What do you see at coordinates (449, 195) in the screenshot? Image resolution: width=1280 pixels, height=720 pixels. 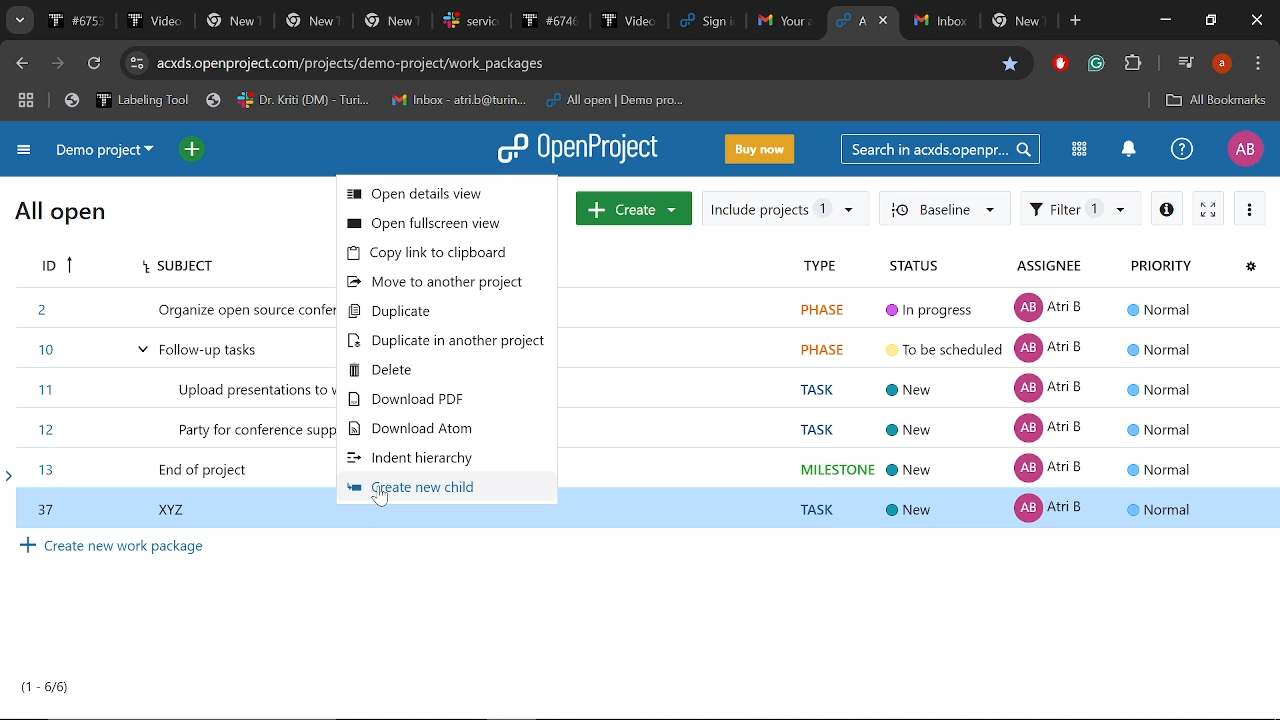 I see `Open details view` at bounding box center [449, 195].